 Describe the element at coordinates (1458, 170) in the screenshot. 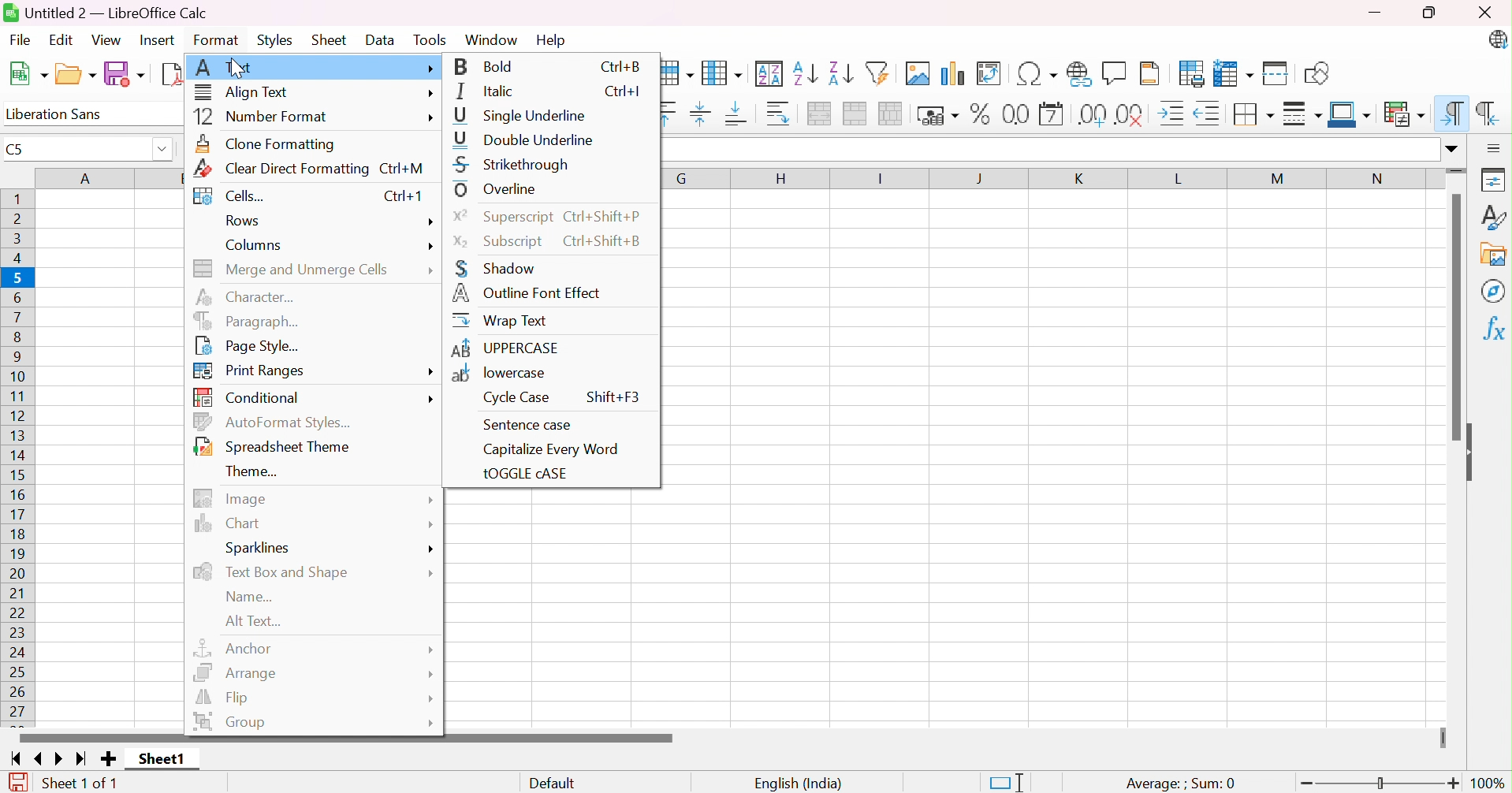

I see `Slider` at that location.